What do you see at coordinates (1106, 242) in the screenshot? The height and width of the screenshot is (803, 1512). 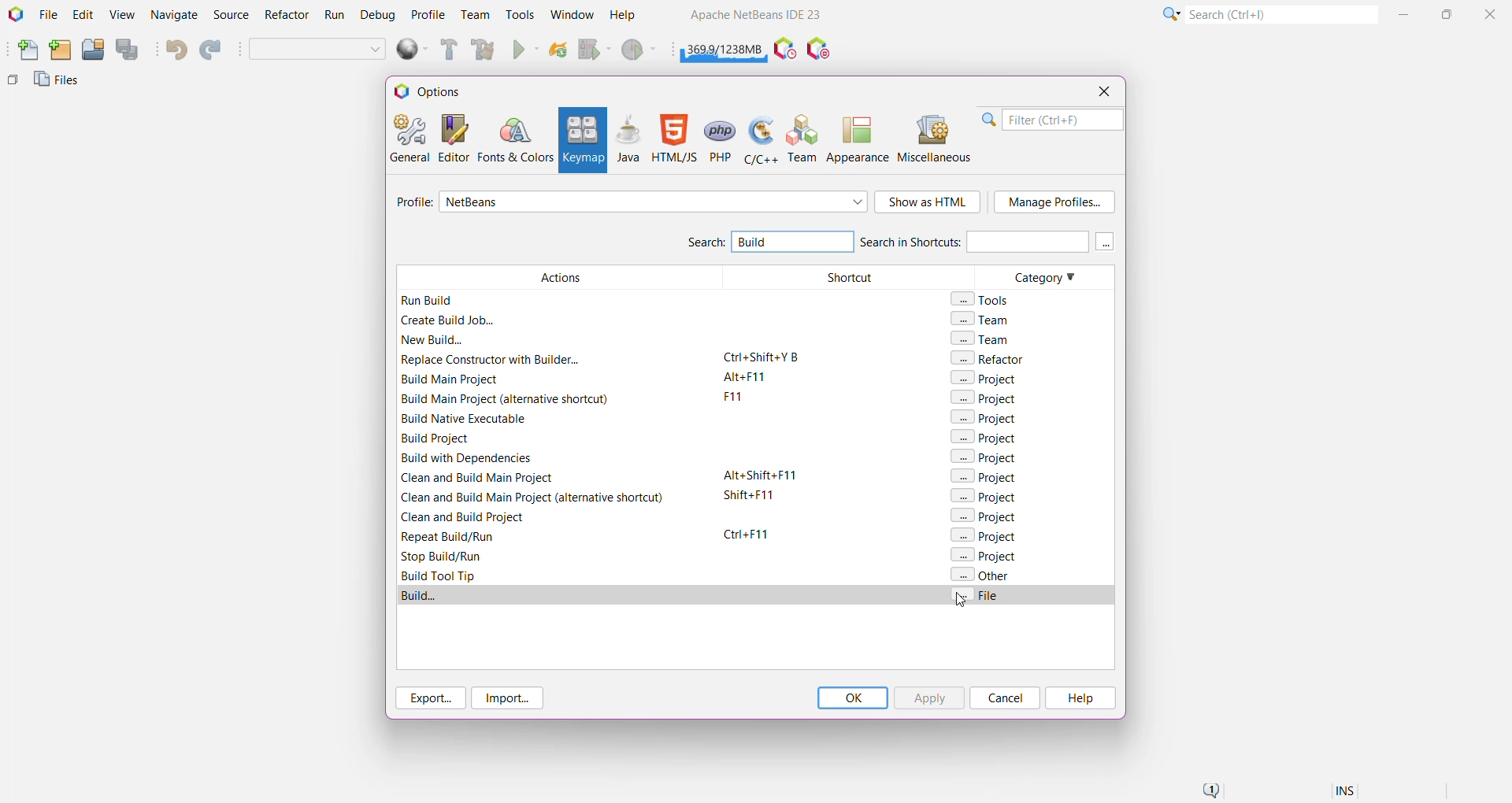 I see `More keys` at bounding box center [1106, 242].